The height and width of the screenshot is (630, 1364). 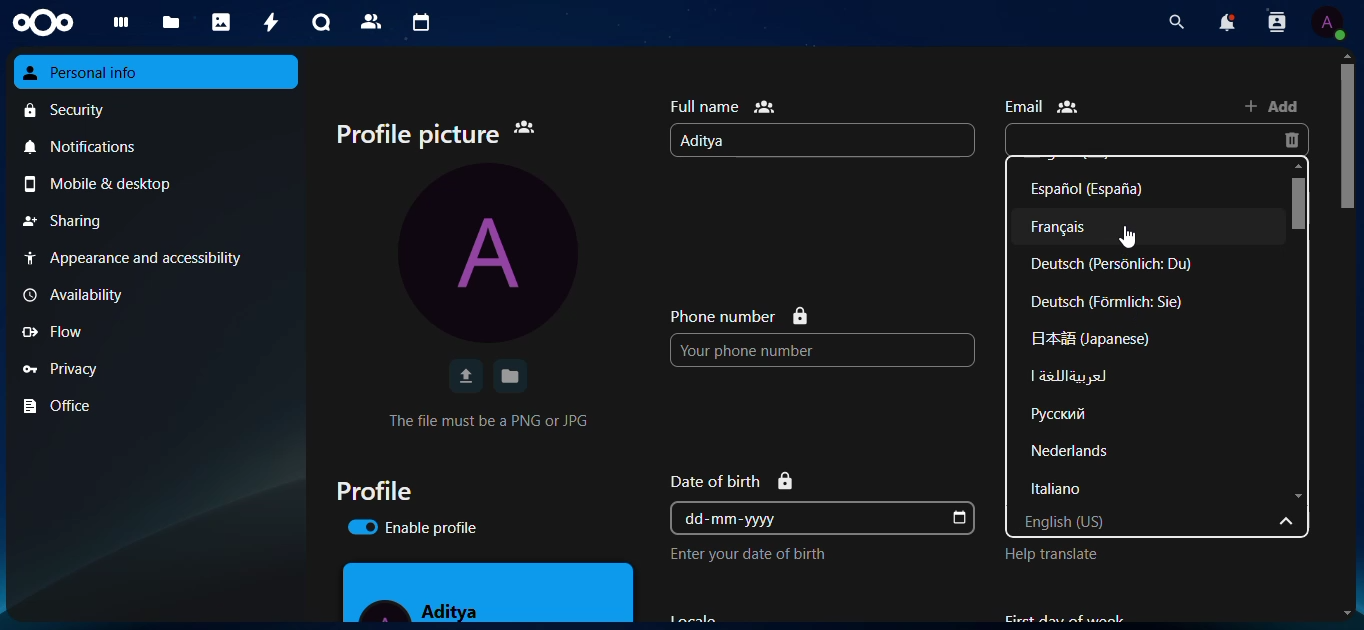 What do you see at coordinates (425, 529) in the screenshot?
I see `enable profile` at bounding box center [425, 529].